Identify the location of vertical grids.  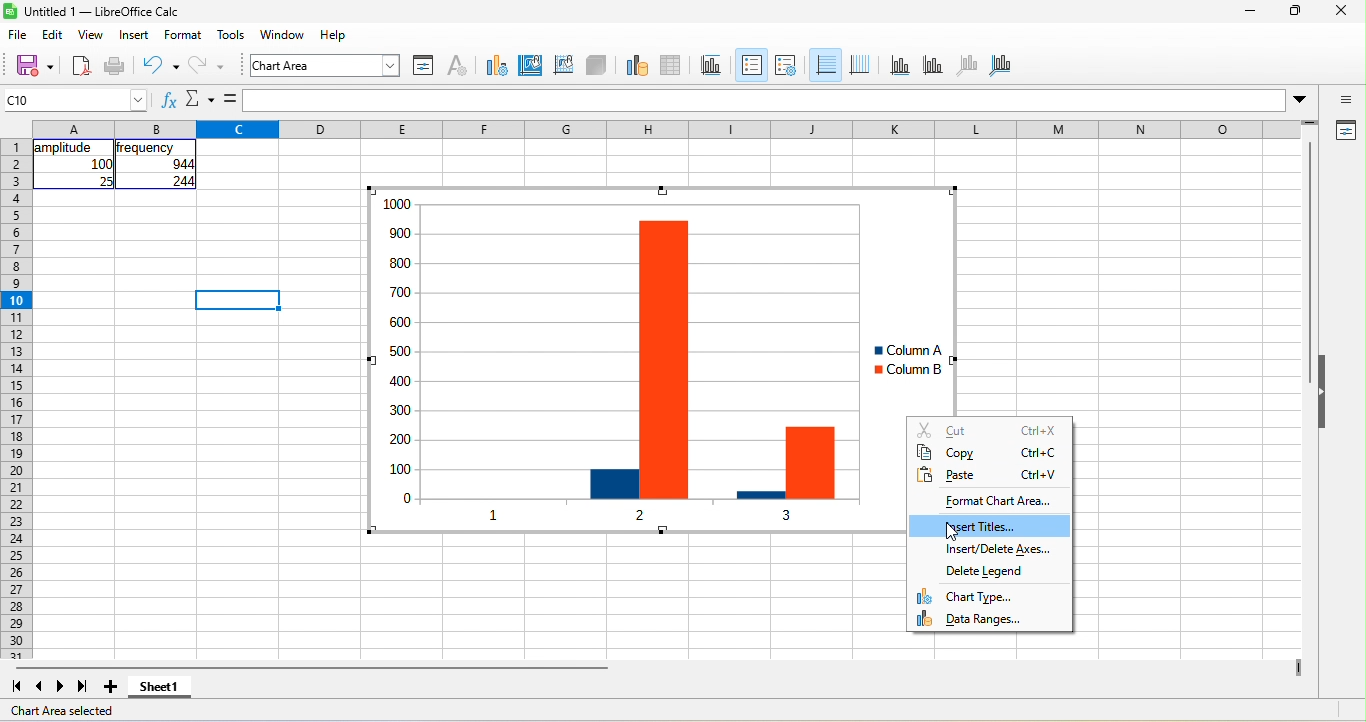
(860, 66).